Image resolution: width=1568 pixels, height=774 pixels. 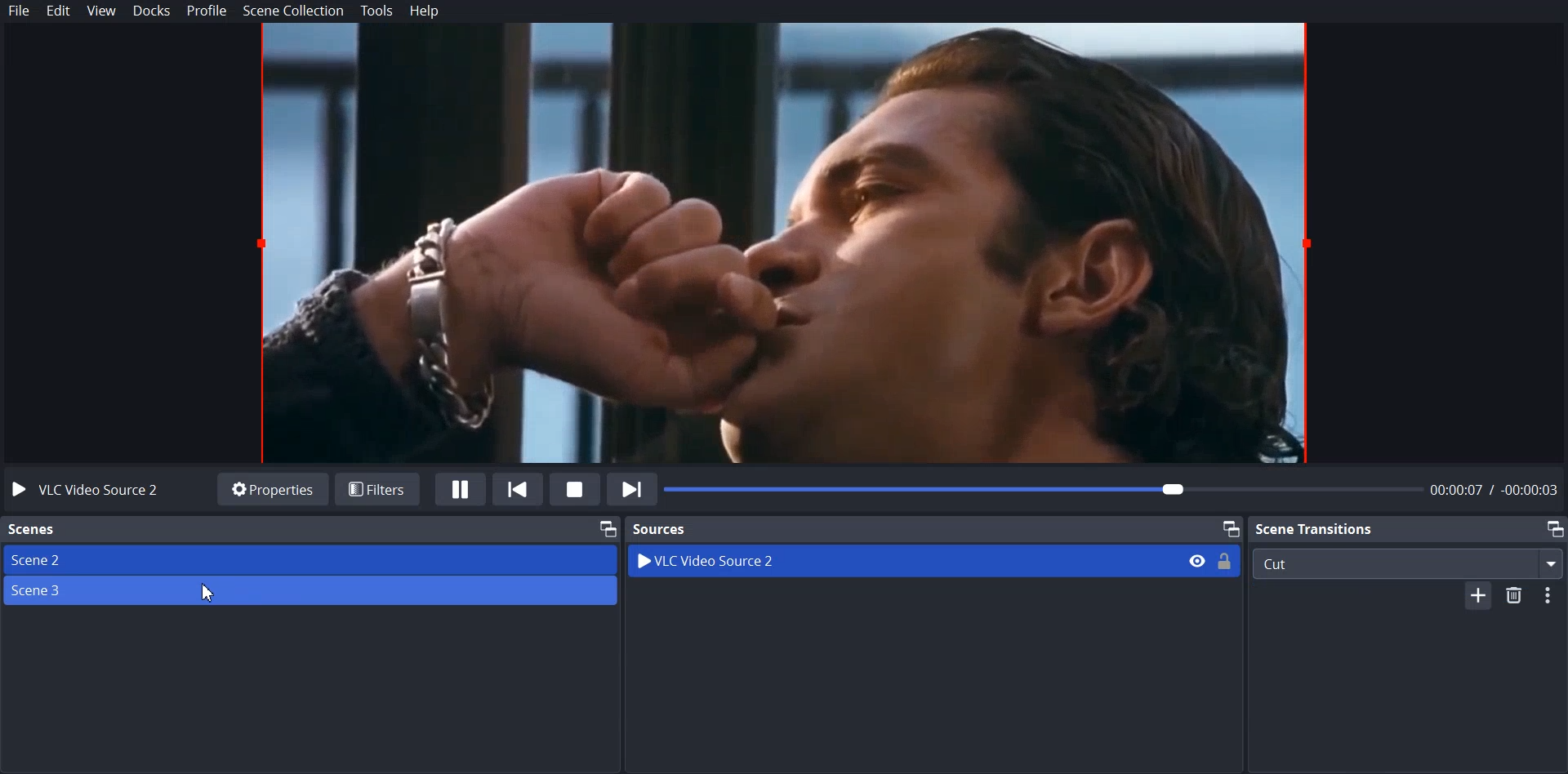 What do you see at coordinates (792, 243) in the screenshot?
I see `File Preview window` at bounding box center [792, 243].